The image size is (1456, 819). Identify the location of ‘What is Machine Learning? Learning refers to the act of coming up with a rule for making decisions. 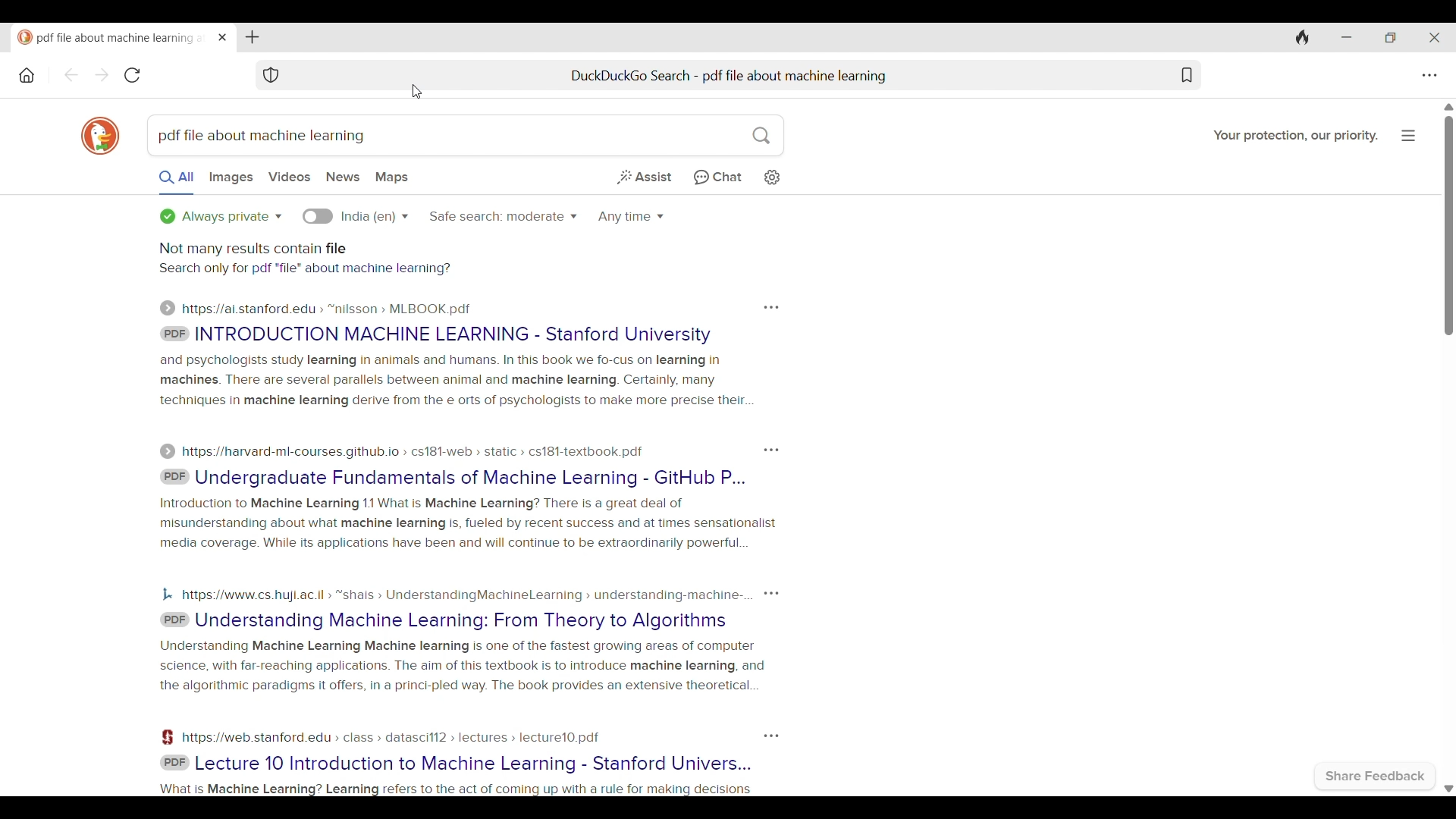
(456, 789).